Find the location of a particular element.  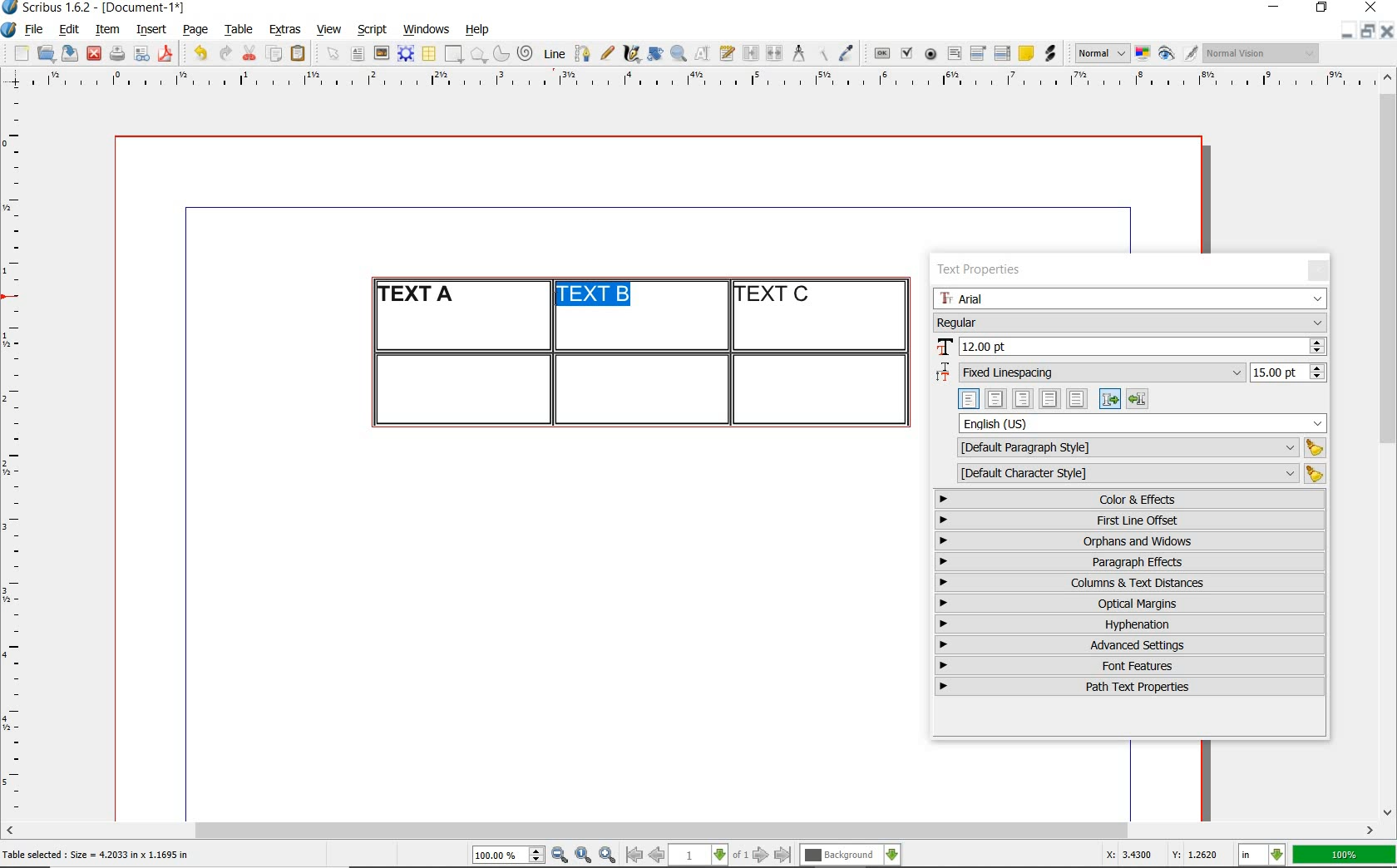

paragraph effects is located at coordinates (1128, 561).